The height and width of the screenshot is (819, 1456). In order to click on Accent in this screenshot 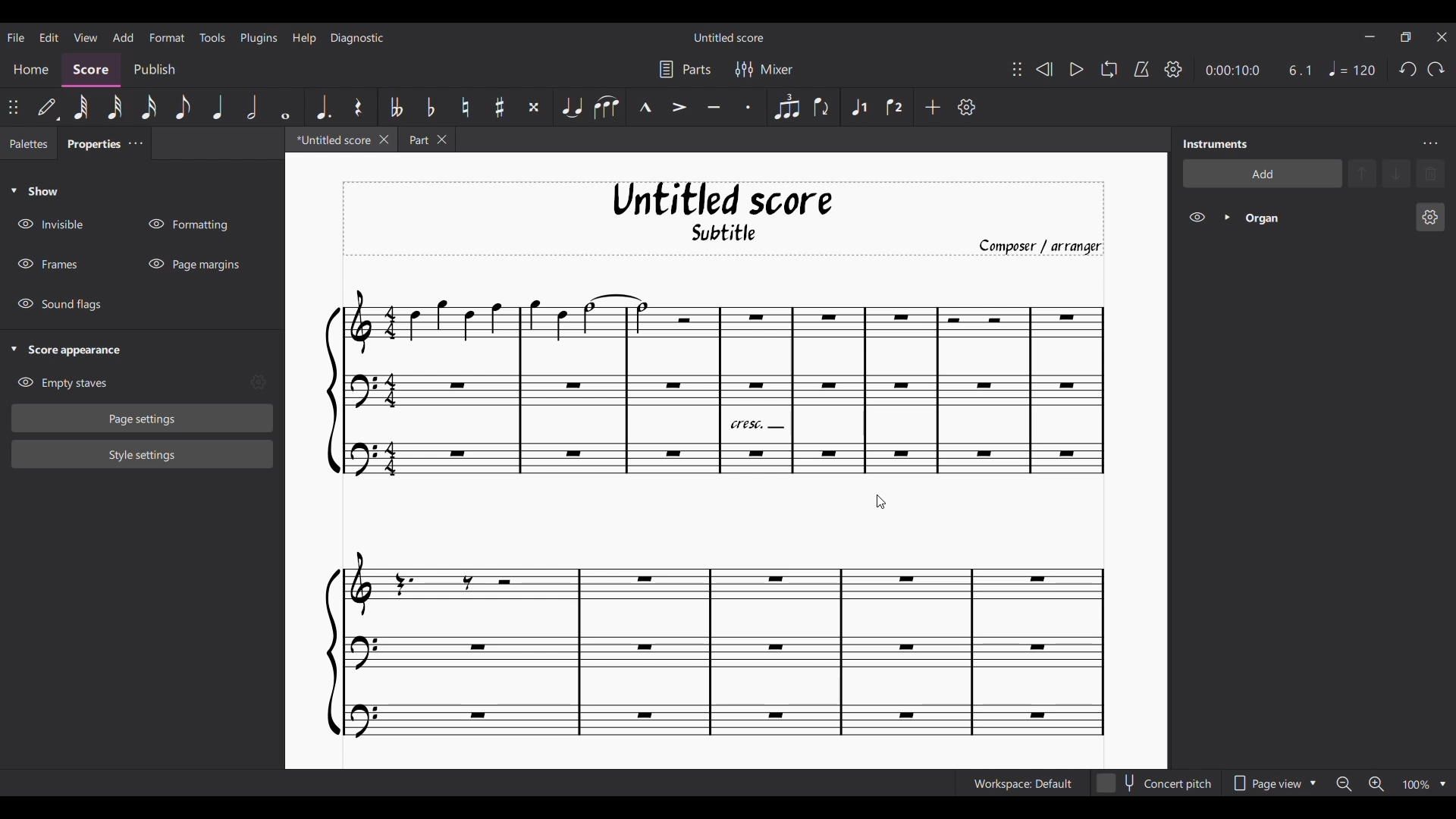, I will do `click(679, 107)`.